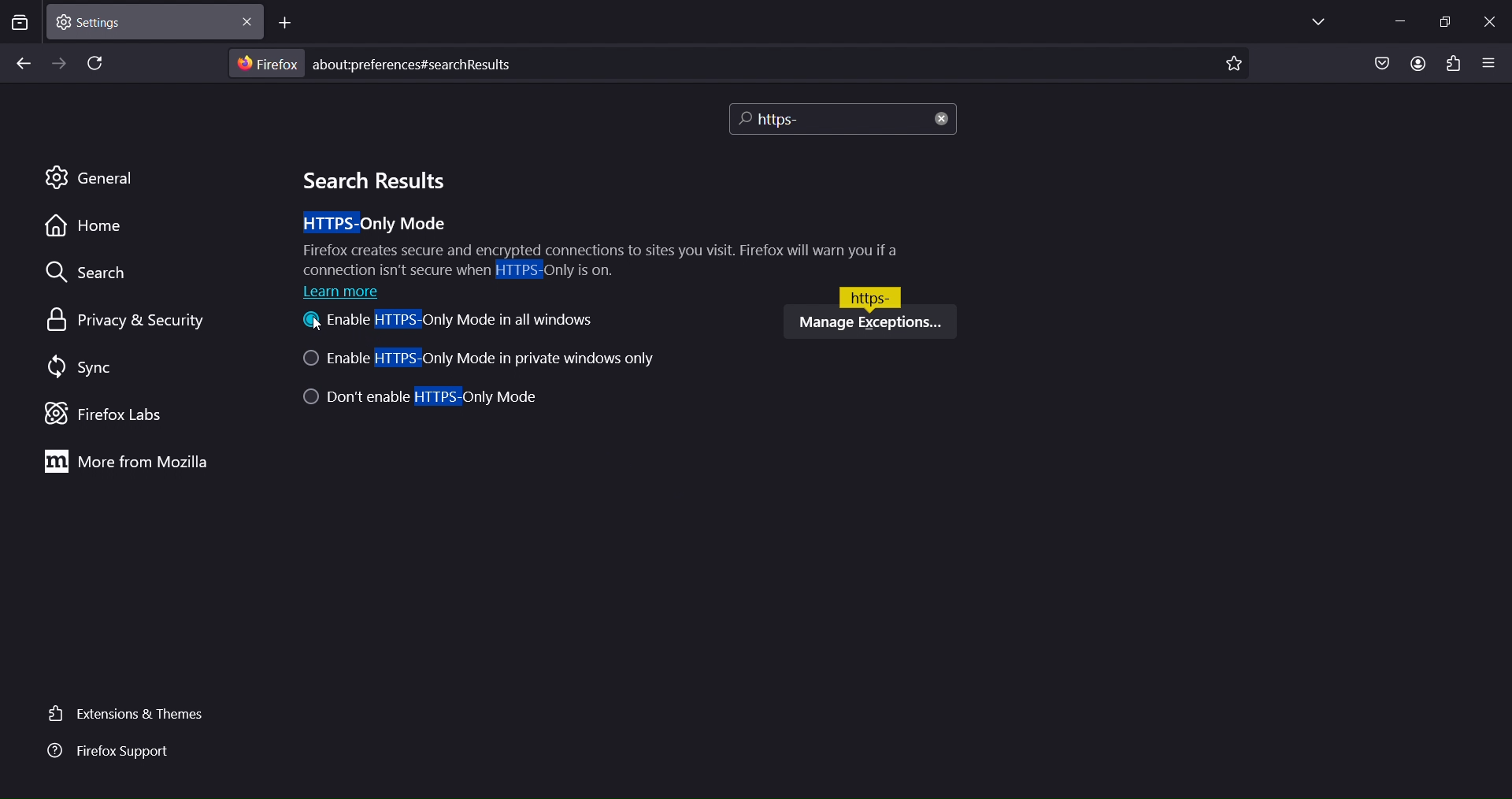 The width and height of the screenshot is (1512, 799). I want to click on extensions & themes, so click(127, 715).